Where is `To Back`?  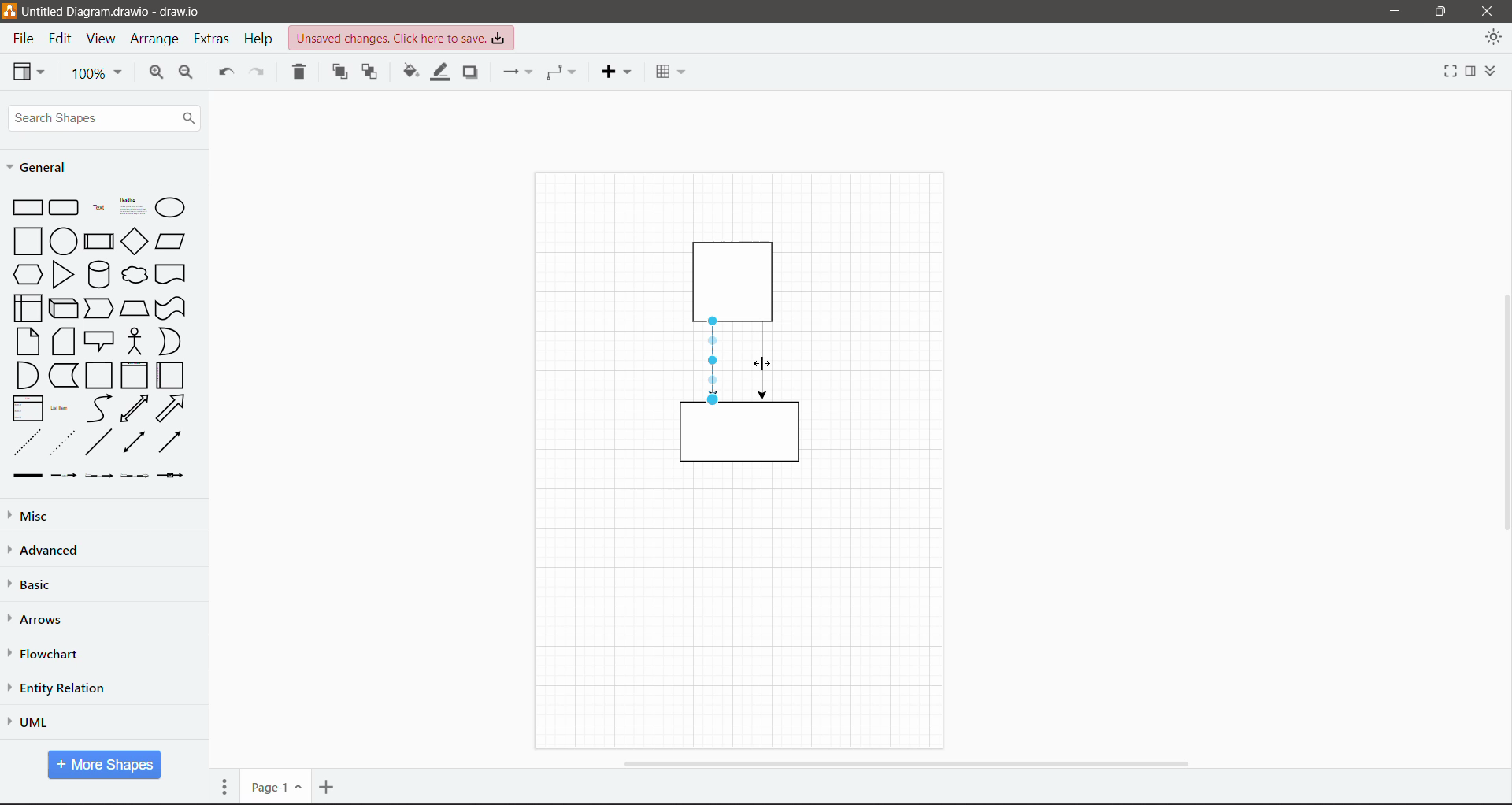
To Back is located at coordinates (371, 73).